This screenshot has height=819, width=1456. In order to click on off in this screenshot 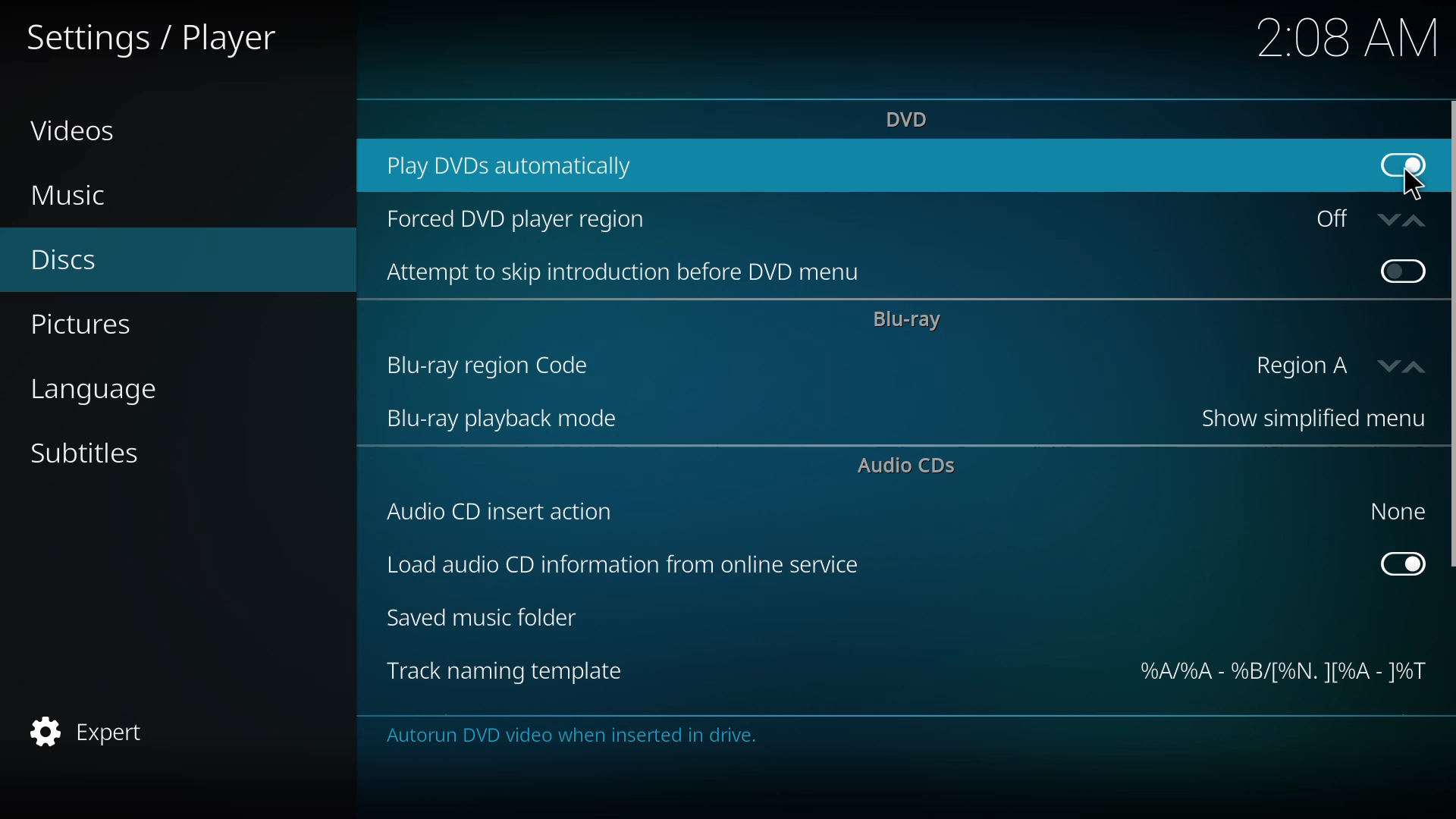, I will do `click(1363, 218)`.